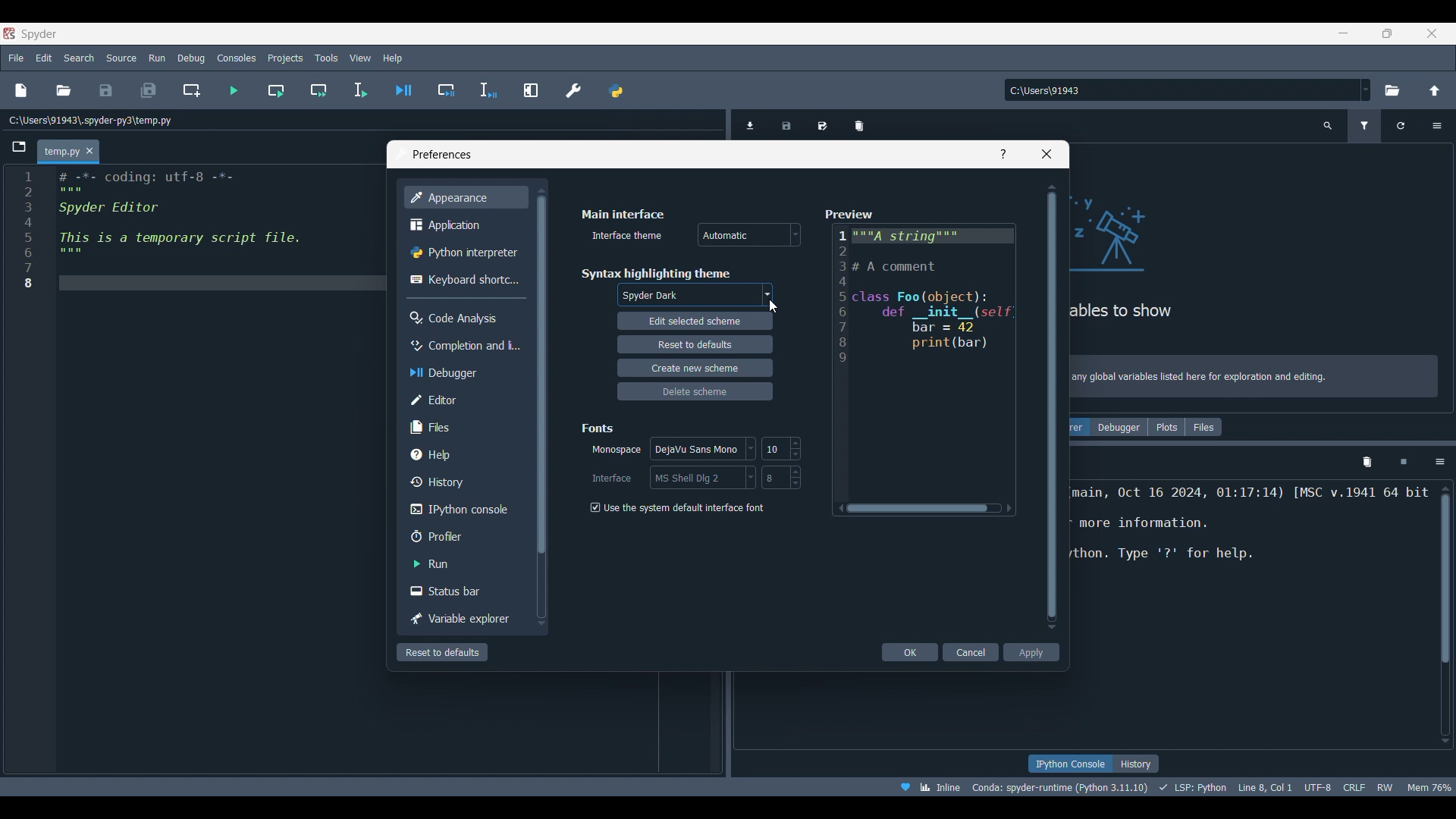 The height and width of the screenshot is (819, 1456). Describe the element at coordinates (463, 318) in the screenshot. I see `Code analysis` at that location.